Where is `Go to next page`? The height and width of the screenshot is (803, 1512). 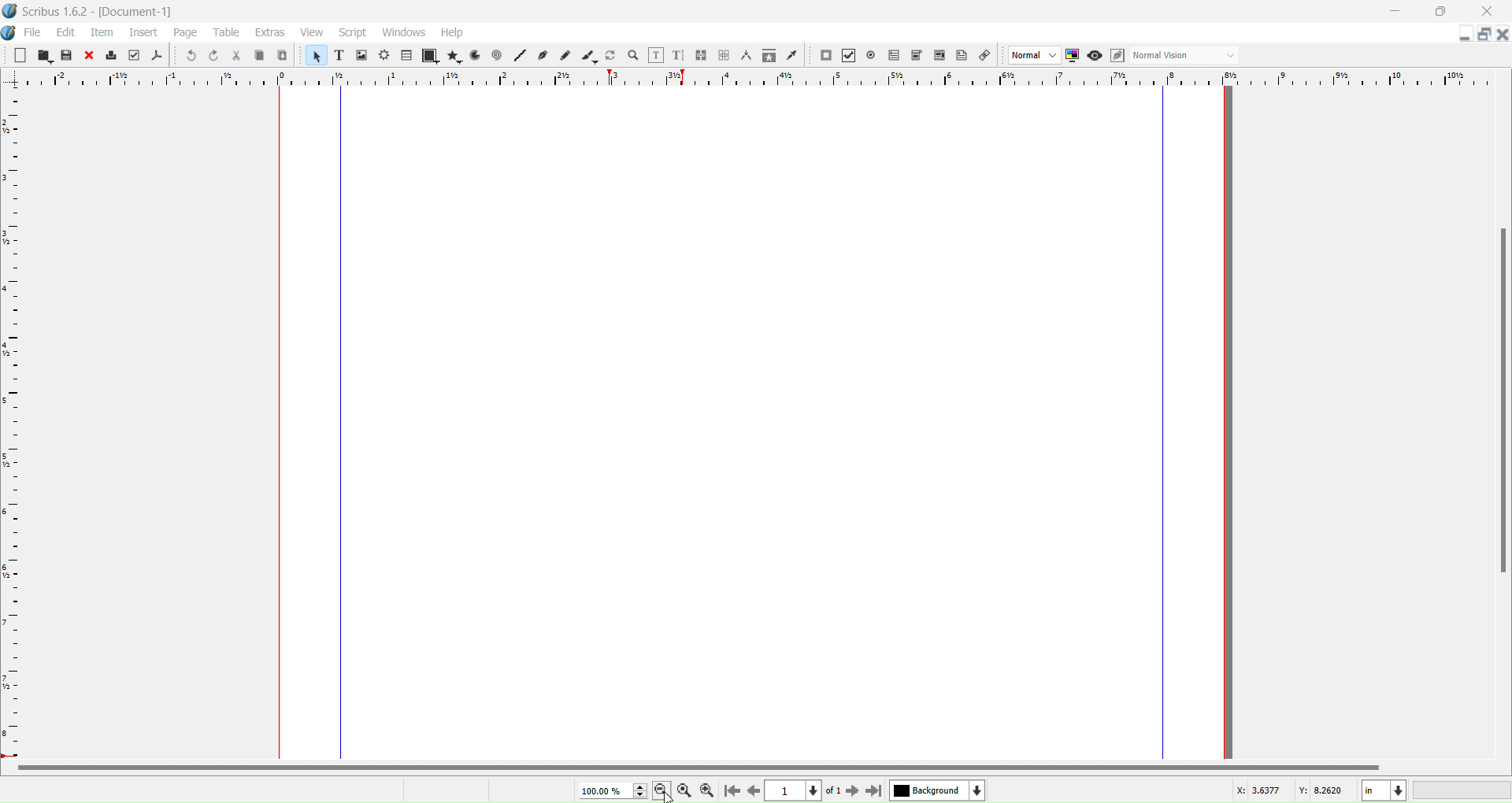
Go to next page is located at coordinates (853, 791).